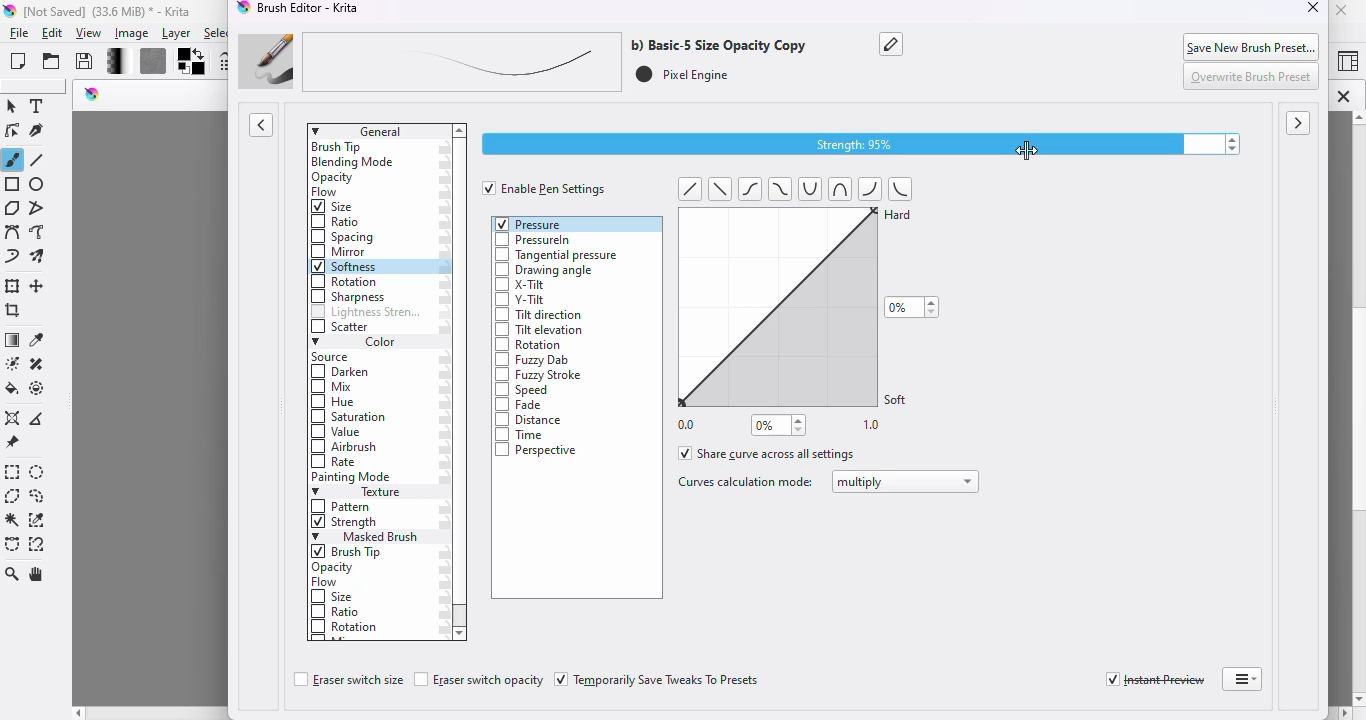  What do you see at coordinates (341, 328) in the screenshot?
I see `scatter` at bounding box center [341, 328].